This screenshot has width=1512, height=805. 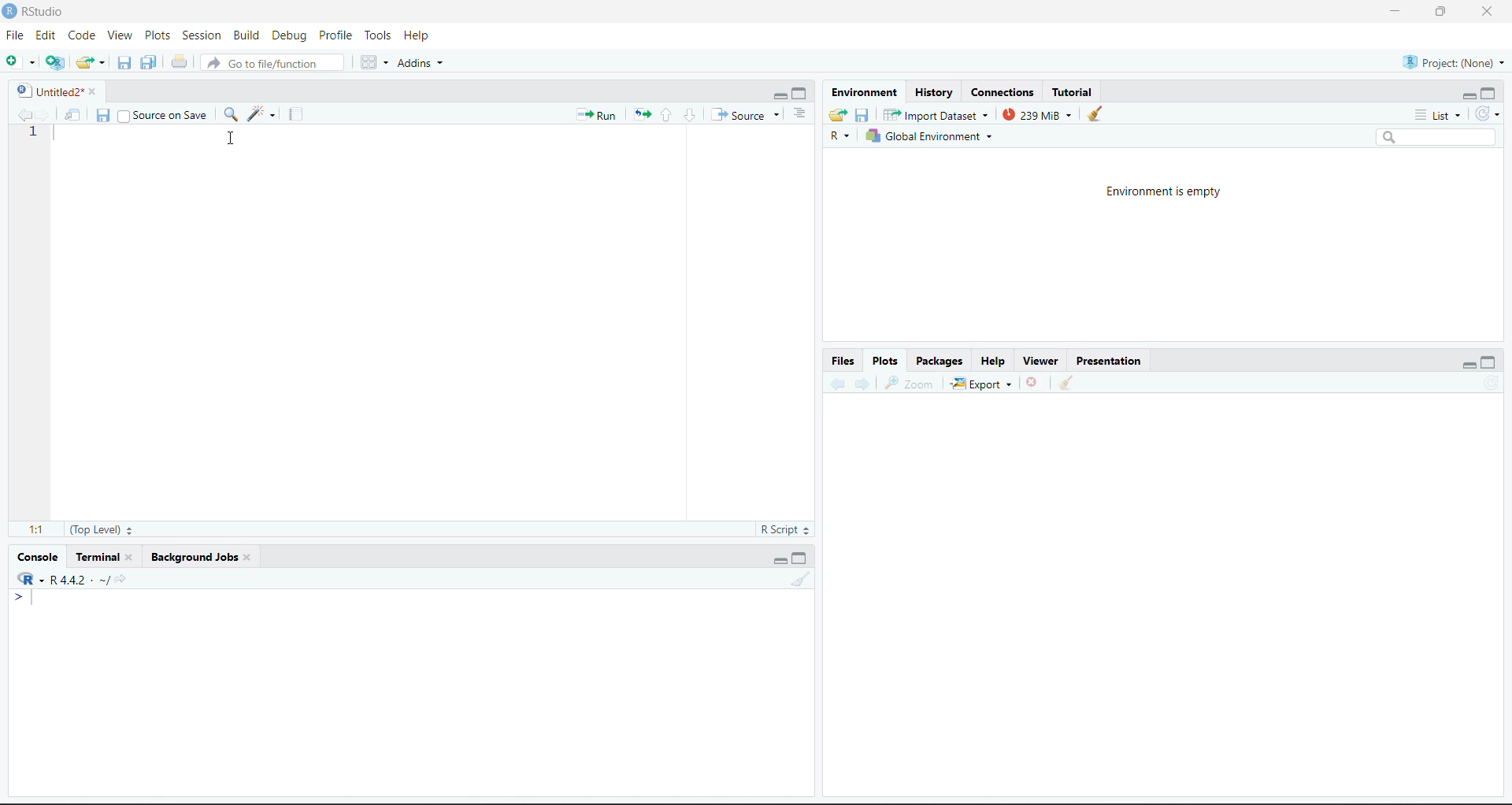 I want to click on Show document outline (Ctrl + Shift + O), so click(x=805, y=113).